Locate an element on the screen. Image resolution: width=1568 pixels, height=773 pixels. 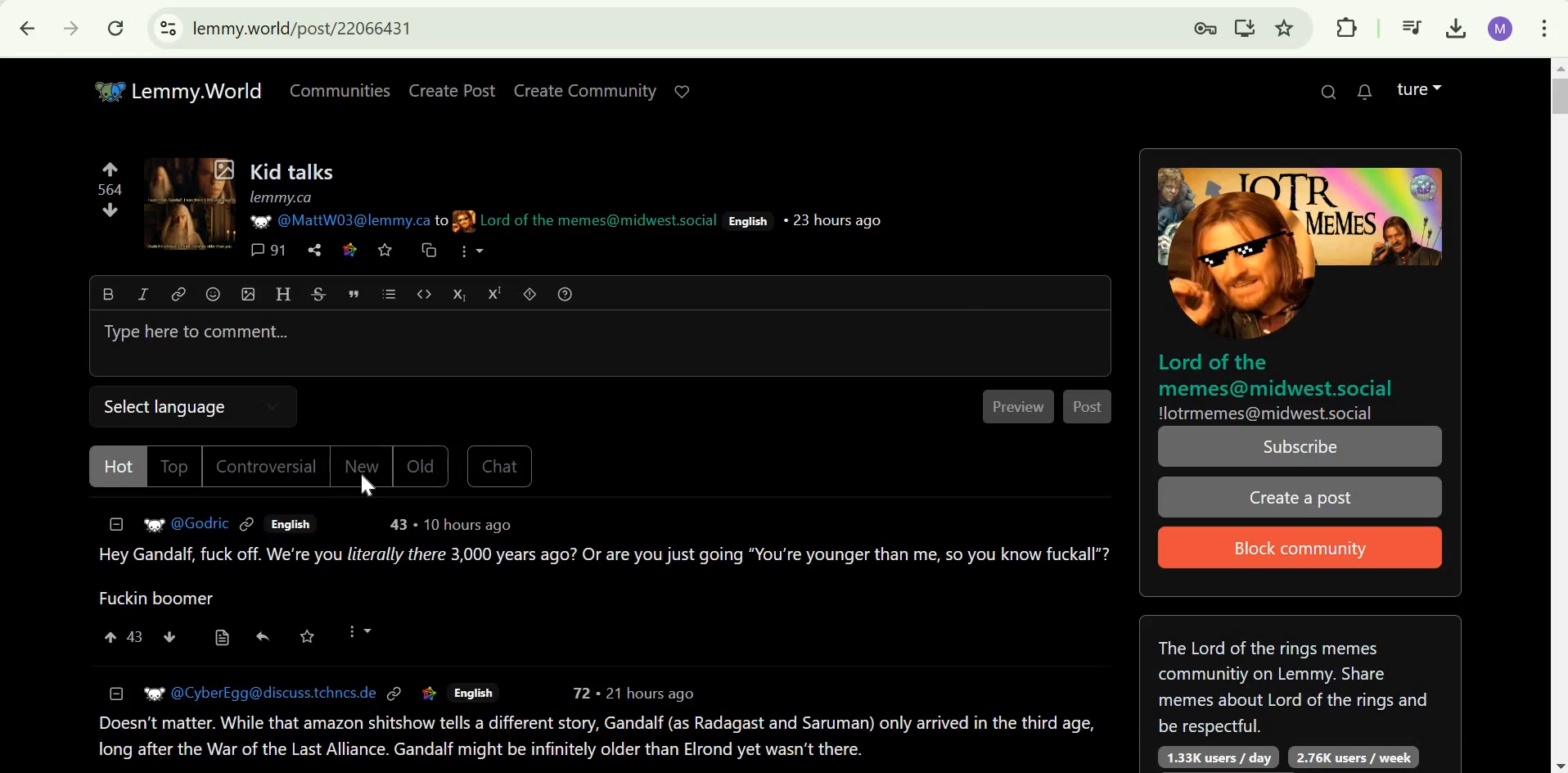
superscript is located at coordinates (495, 293).